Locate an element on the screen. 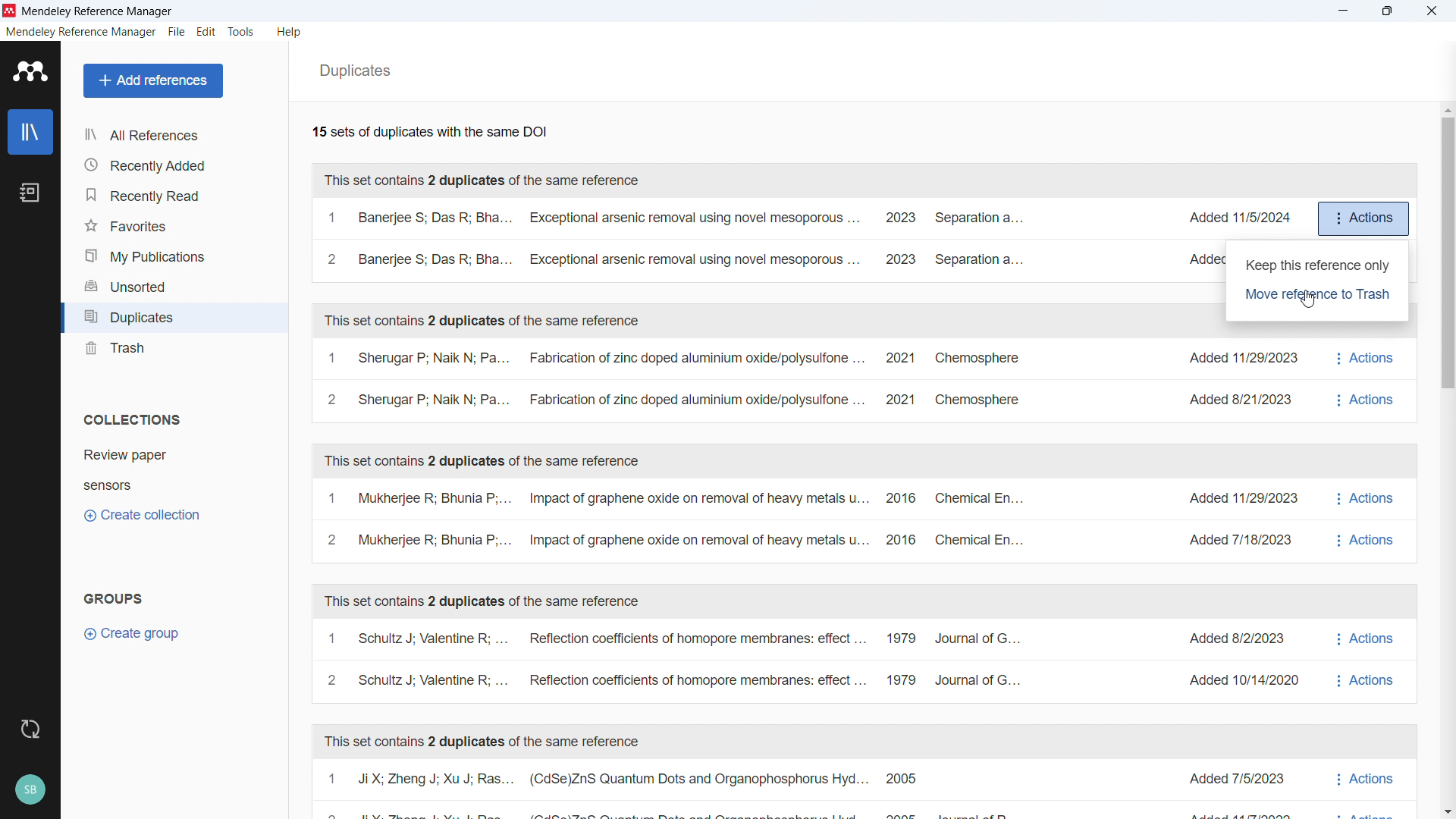 The width and height of the screenshot is (1456, 819). Set of duplicates  is located at coordinates (676, 789).